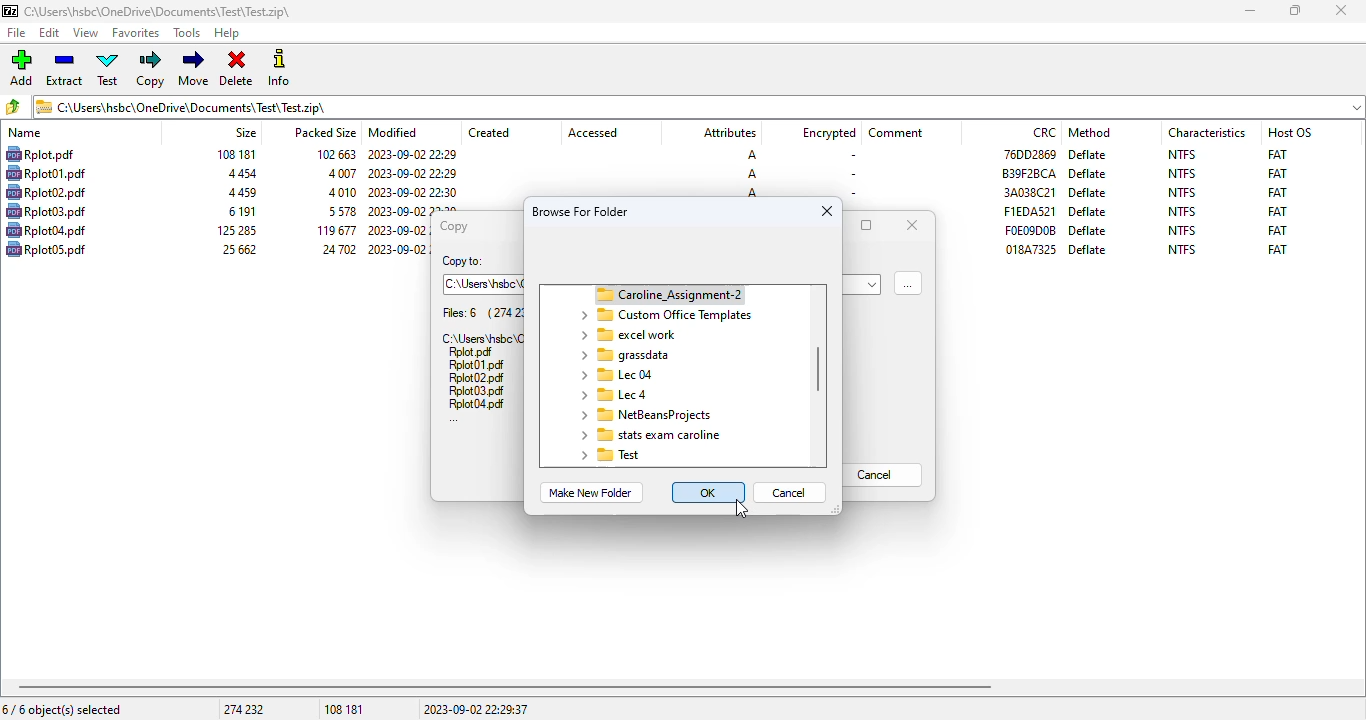 This screenshot has height=720, width=1366. I want to click on browse folders, so click(14, 107).